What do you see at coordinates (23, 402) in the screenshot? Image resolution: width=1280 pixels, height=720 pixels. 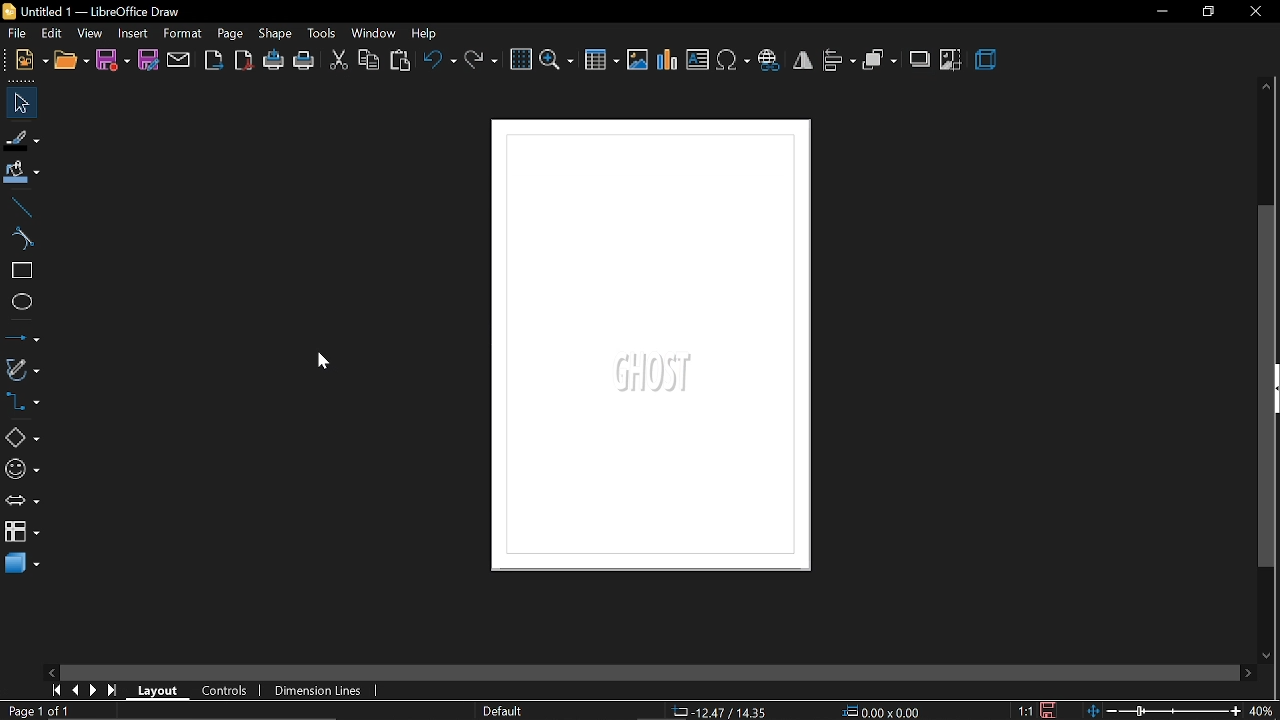 I see `connector` at bounding box center [23, 402].